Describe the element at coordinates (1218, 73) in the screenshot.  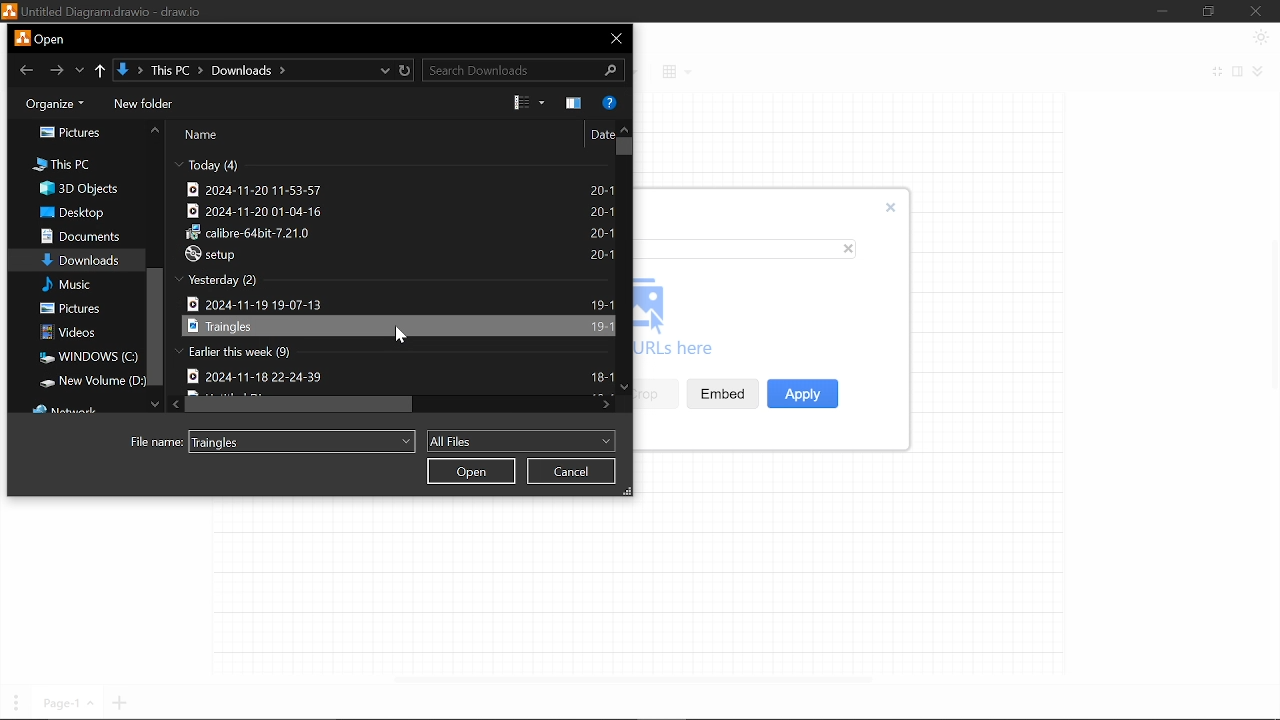
I see `Fullscreen` at that location.